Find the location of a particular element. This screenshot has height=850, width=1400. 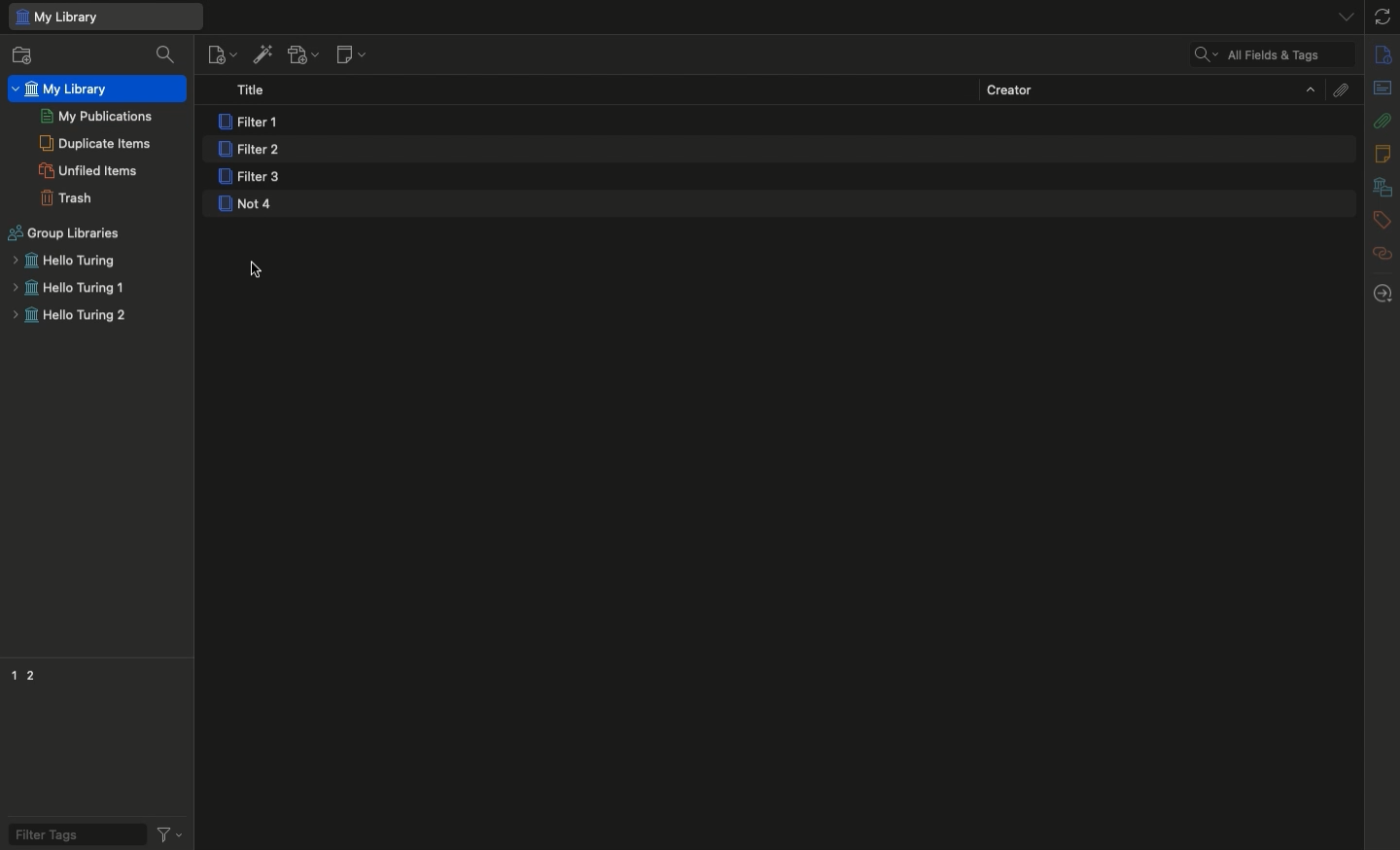

Tags is located at coordinates (1382, 221).